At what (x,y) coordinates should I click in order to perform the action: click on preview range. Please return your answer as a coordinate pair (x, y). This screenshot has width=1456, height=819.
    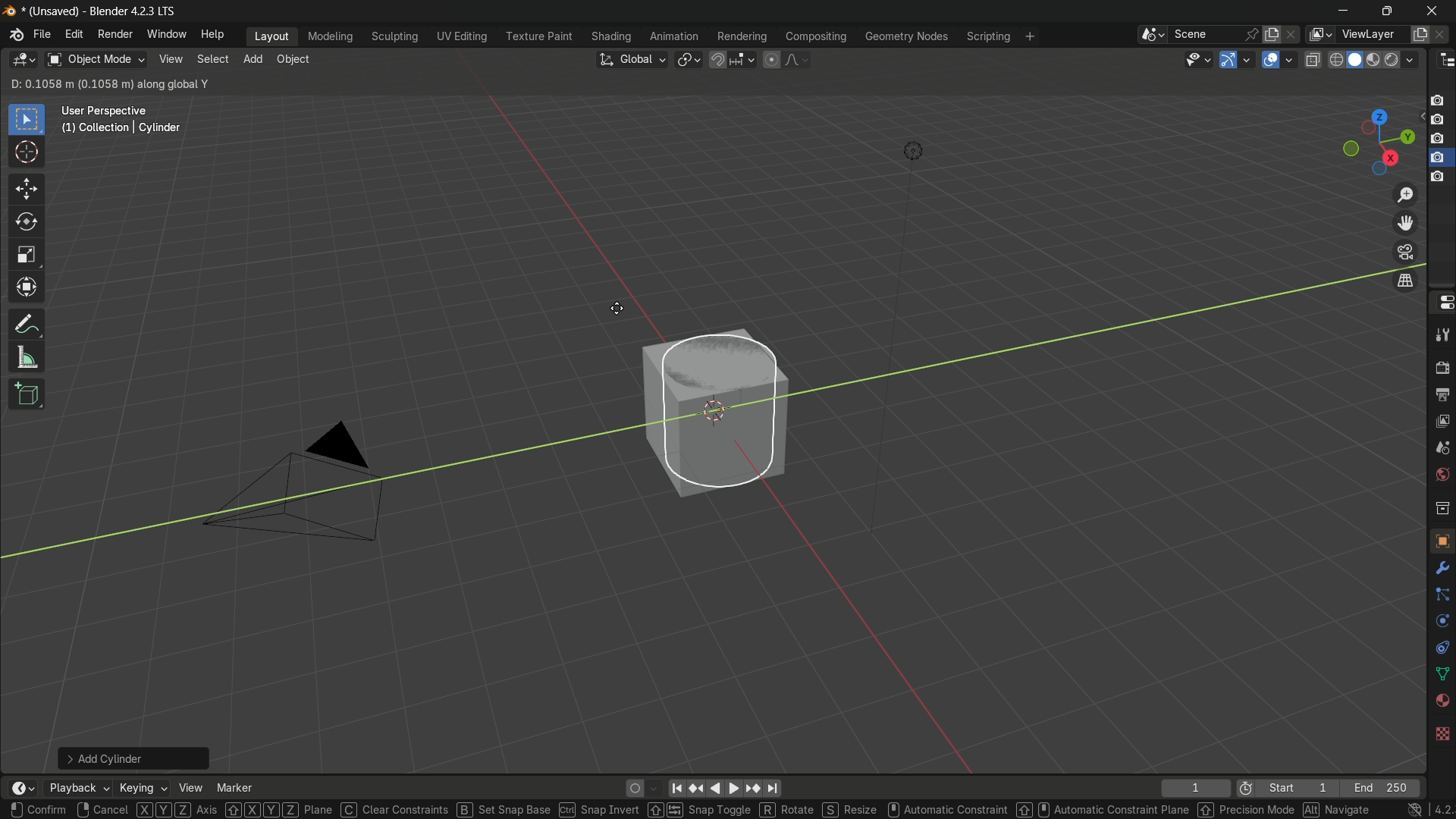
    Looking at the image, I should click on (1246, 787).